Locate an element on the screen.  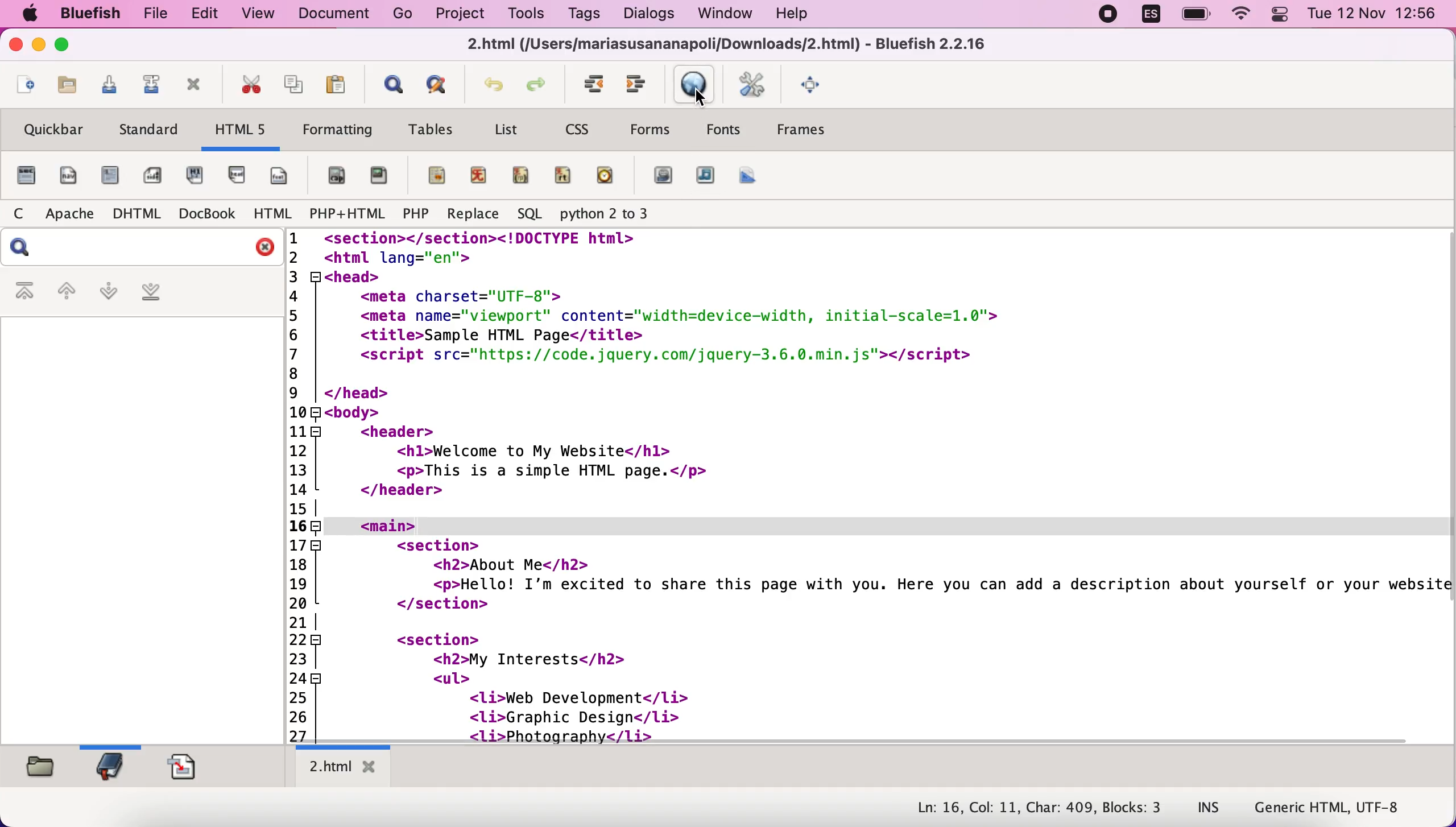
mac logo is located at coordinates (31, 16).